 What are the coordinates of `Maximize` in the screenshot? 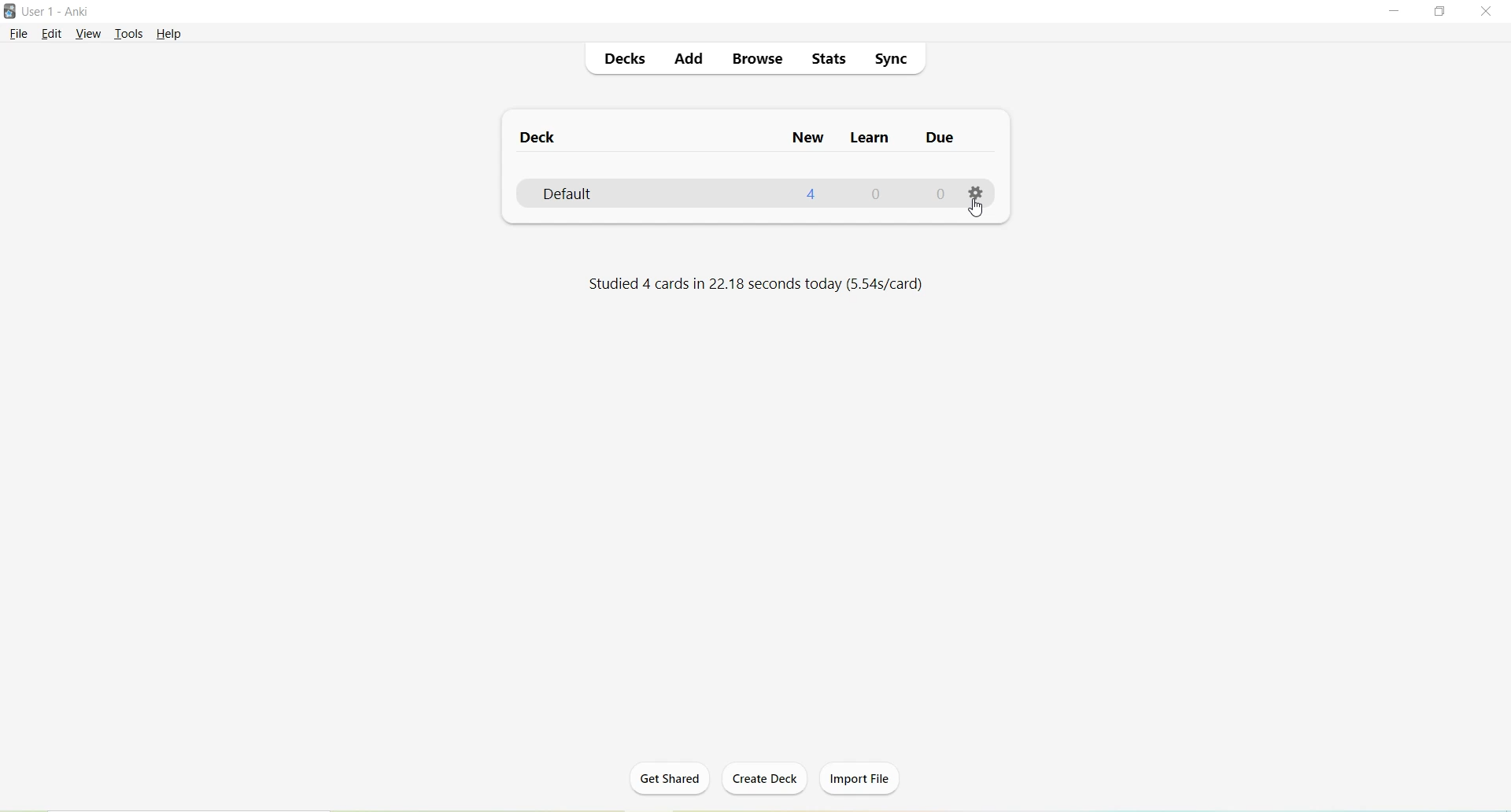 It's located at (1439, 12).